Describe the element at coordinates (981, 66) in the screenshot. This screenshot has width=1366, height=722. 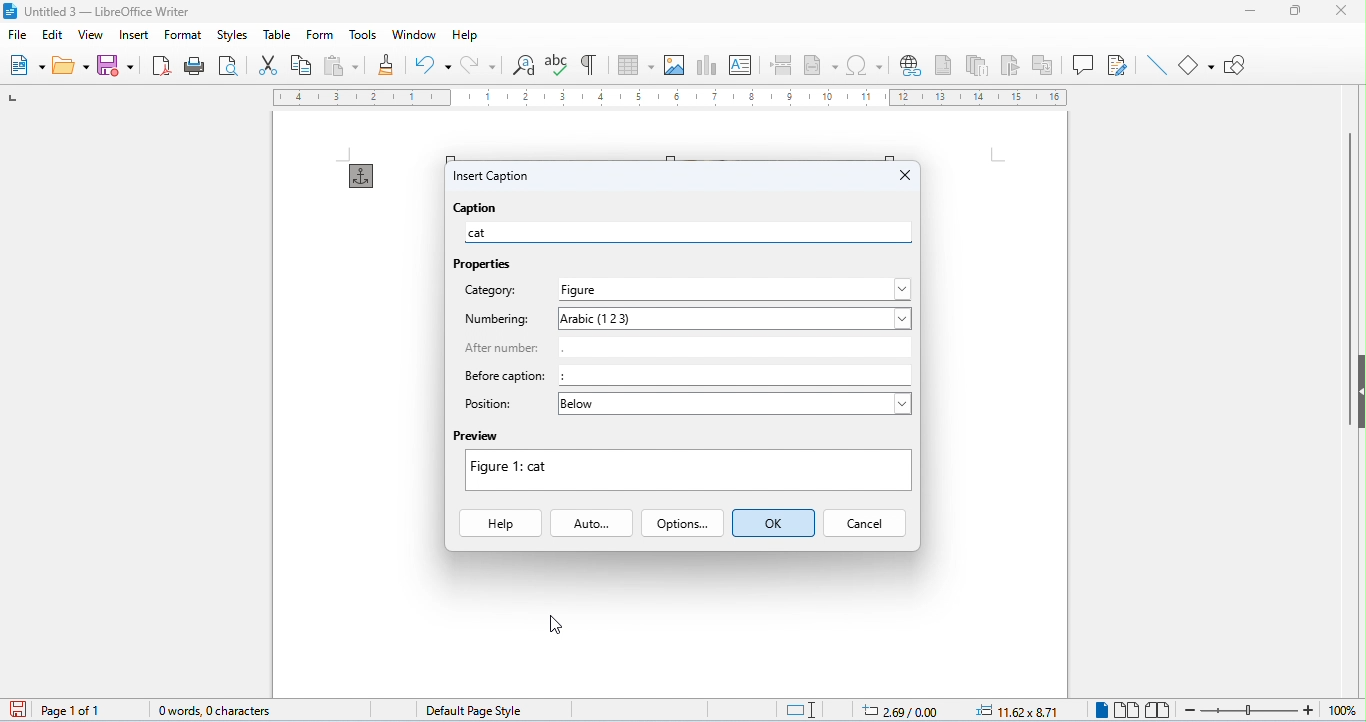
I see `insert endnote` at that location.